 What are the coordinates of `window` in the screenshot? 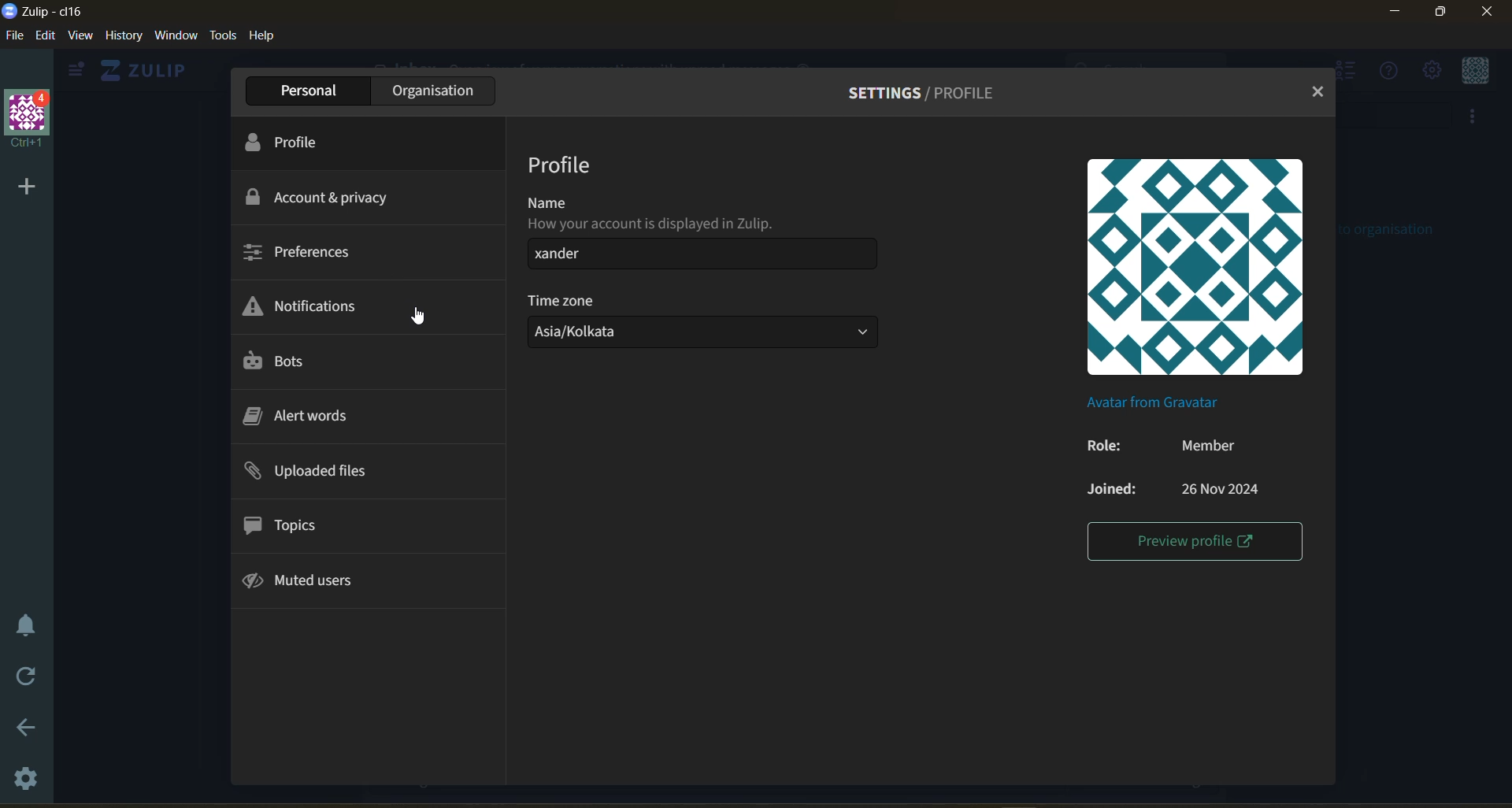 It's located at (180, 36).